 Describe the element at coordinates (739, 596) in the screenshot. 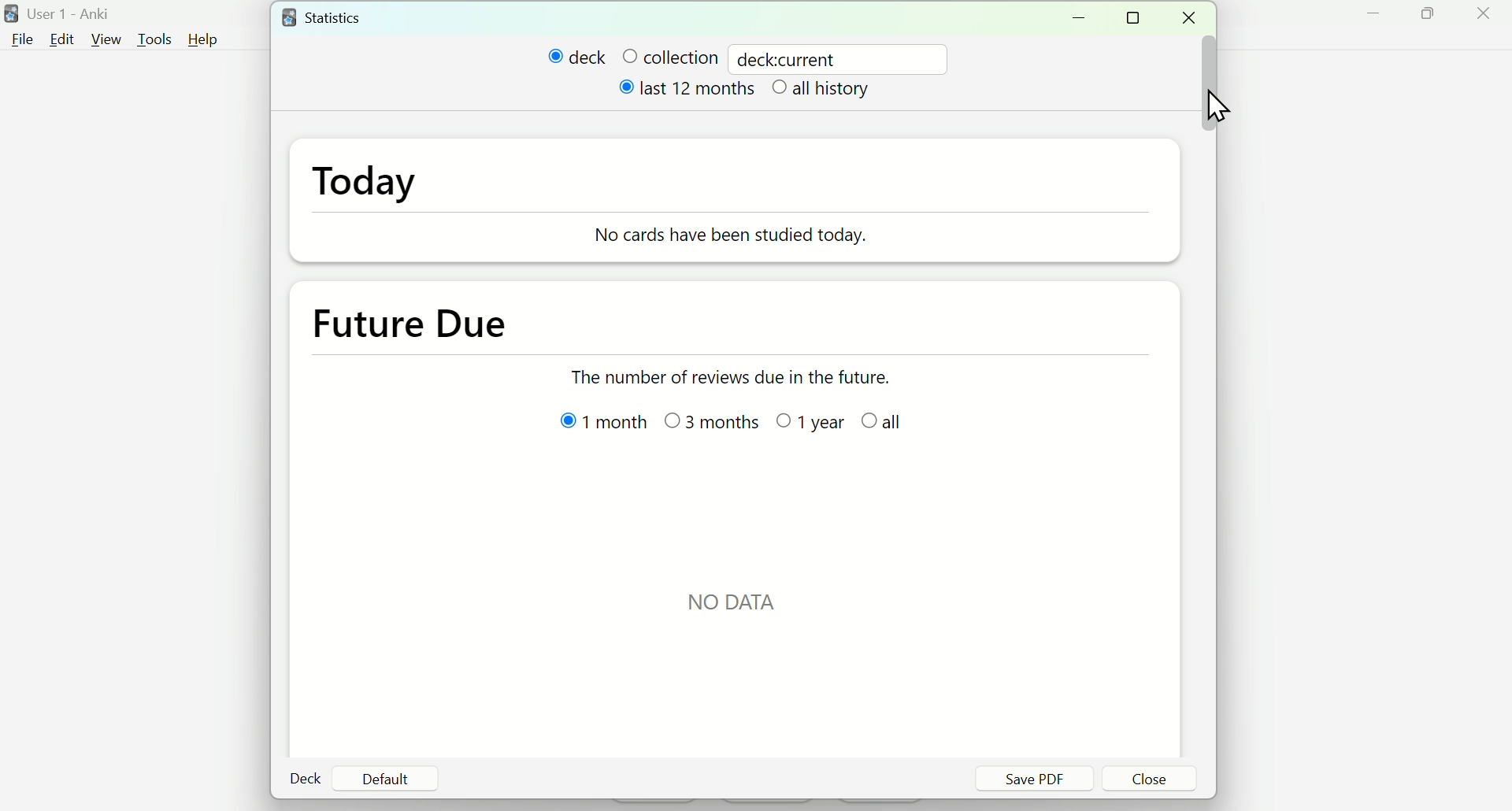

I see `No Data` at that location.